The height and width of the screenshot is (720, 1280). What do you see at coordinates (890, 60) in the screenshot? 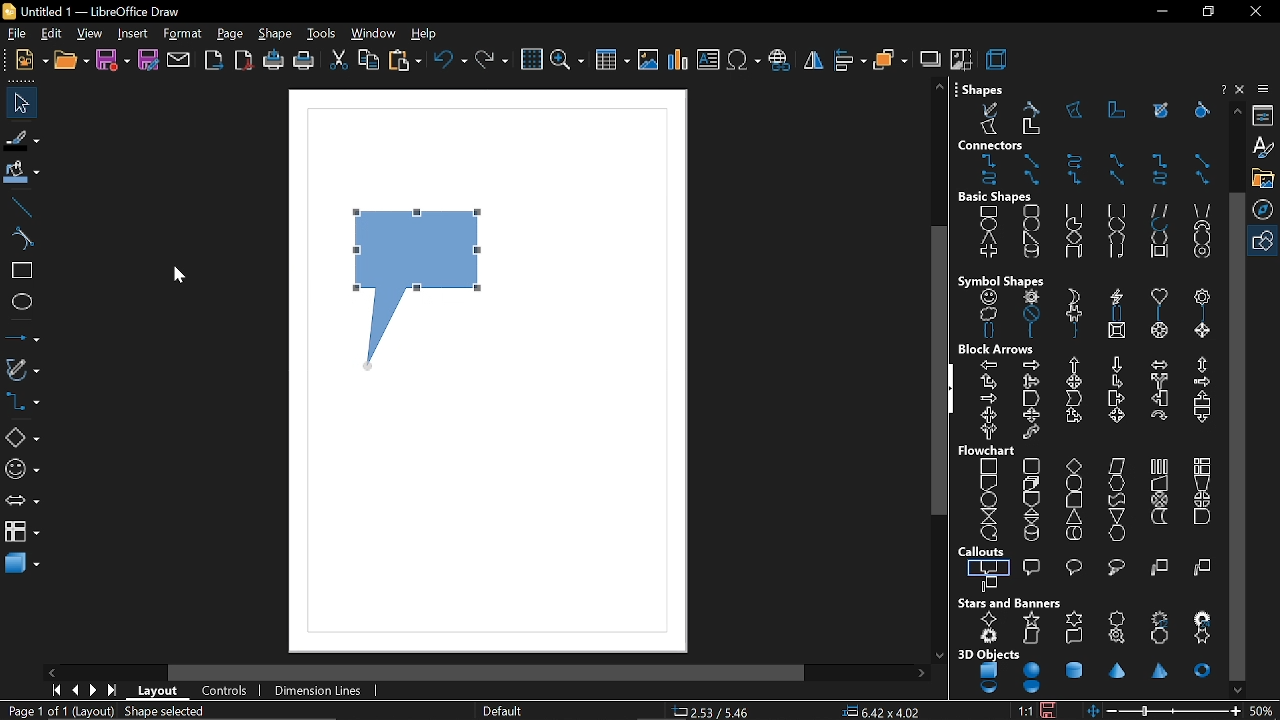
I see `arrange` at bounding box center [890, 60].